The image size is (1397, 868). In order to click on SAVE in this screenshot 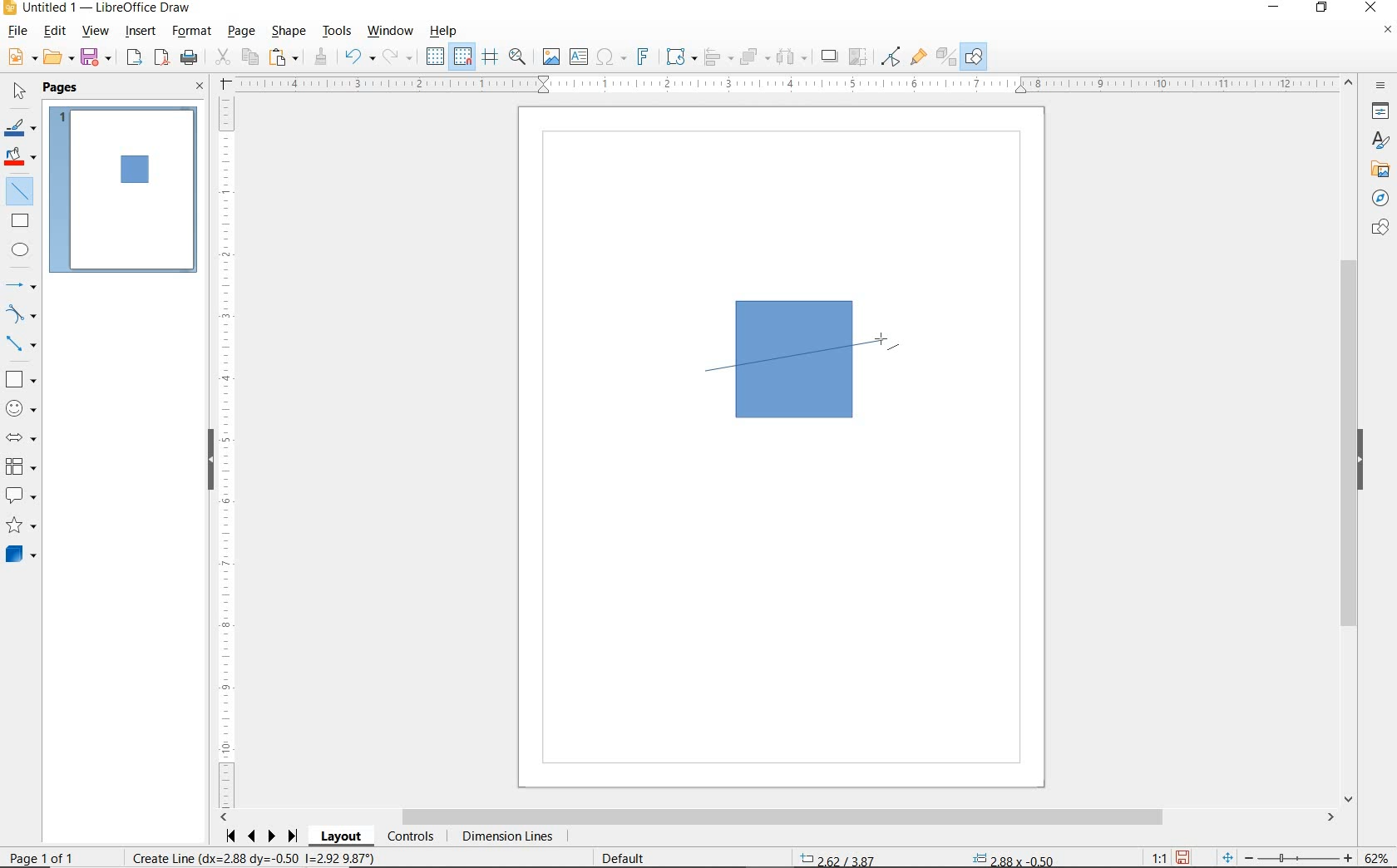, I will do `click(97, 58)`.